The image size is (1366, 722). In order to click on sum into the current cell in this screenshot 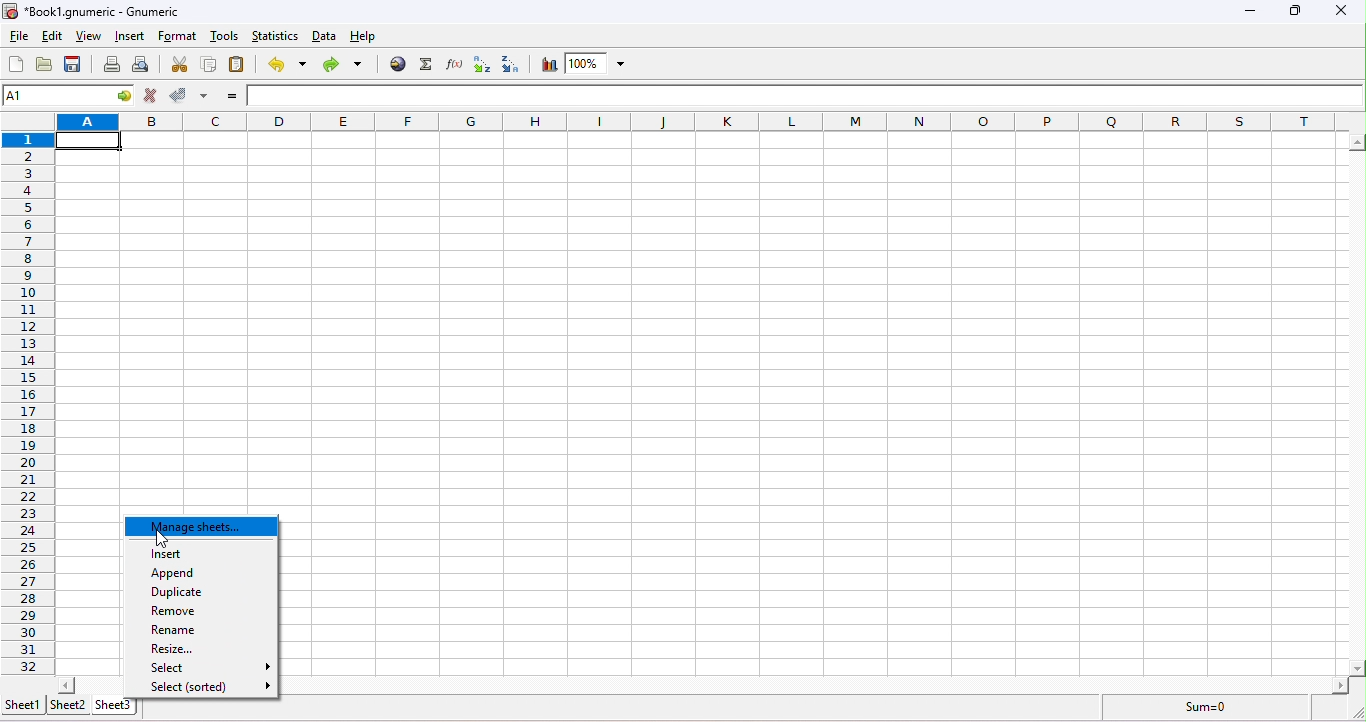, I will do `click(424, 65)`.